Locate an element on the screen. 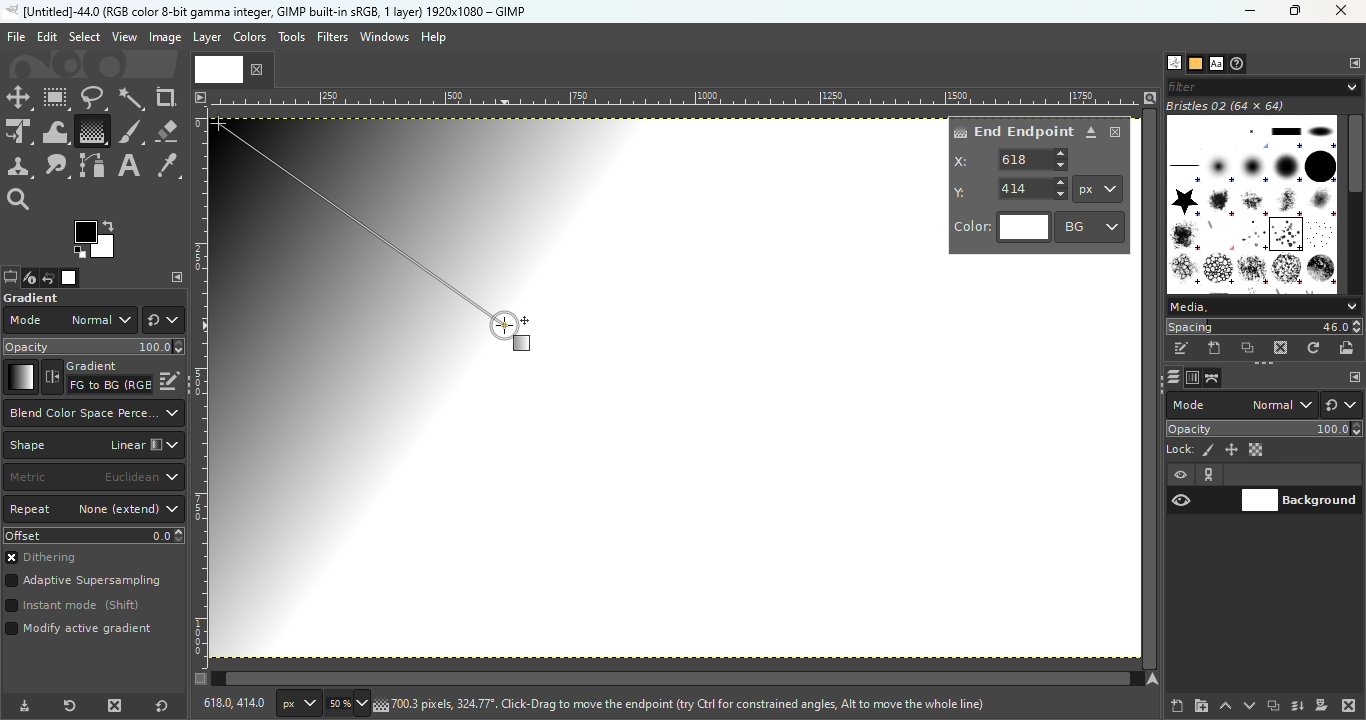  Current file is located at coordinates (233, 68).